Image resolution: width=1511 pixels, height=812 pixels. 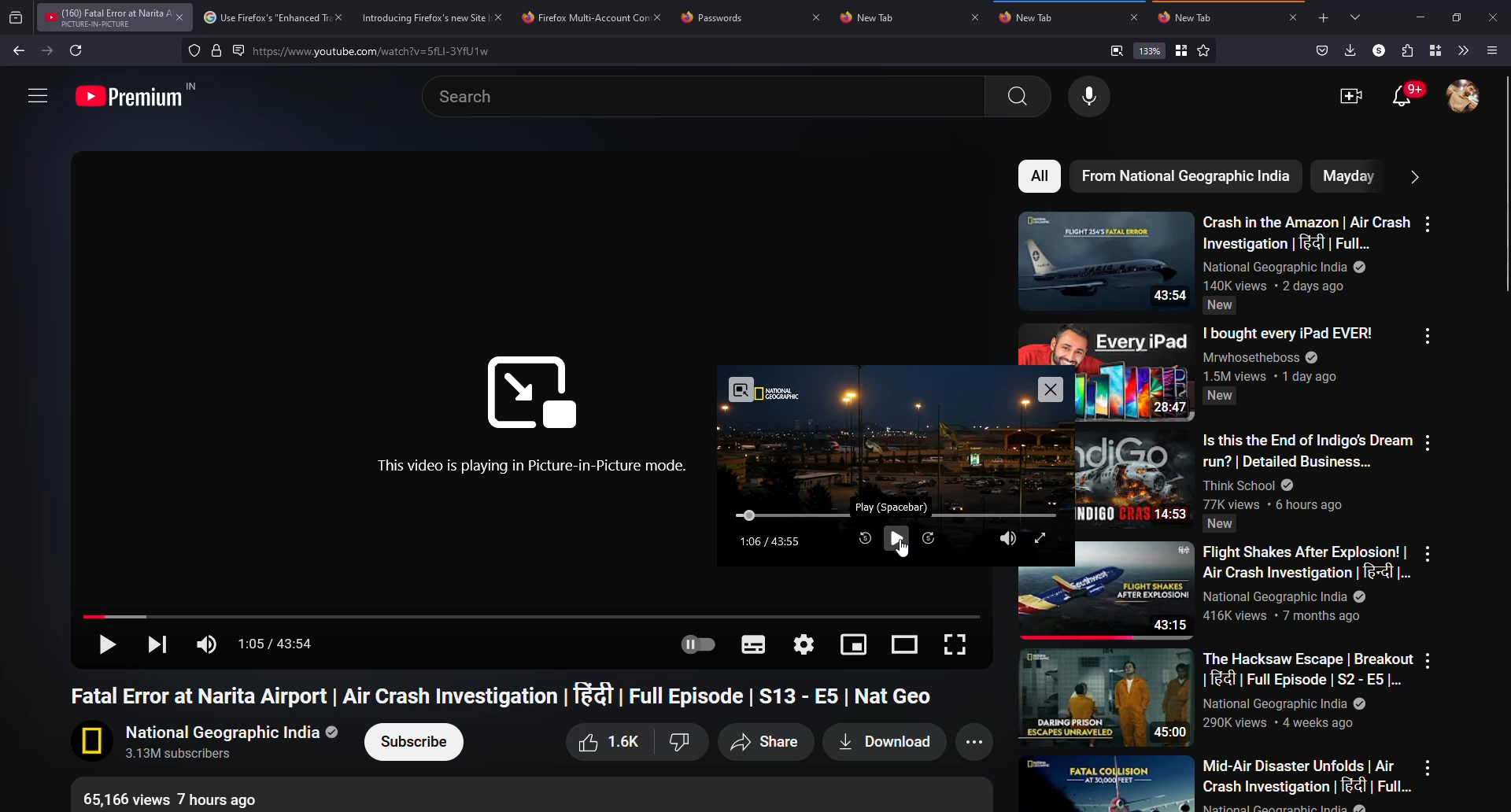 I want to click on 133%, so click(x=1150, y=50).